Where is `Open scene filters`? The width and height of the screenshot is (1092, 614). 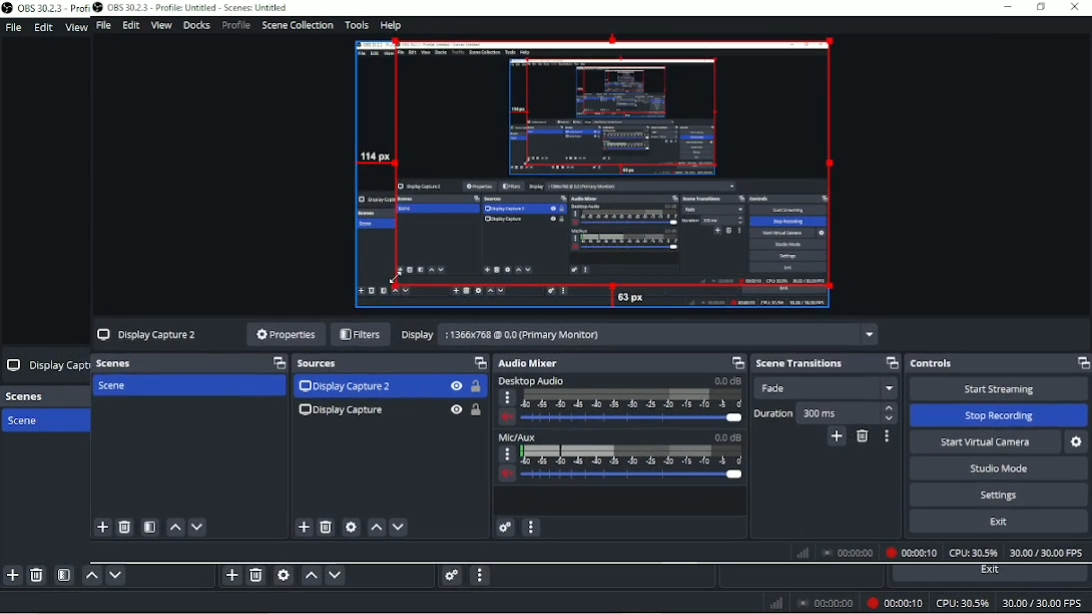
Open scene filters is located at coordinates (65, 575).